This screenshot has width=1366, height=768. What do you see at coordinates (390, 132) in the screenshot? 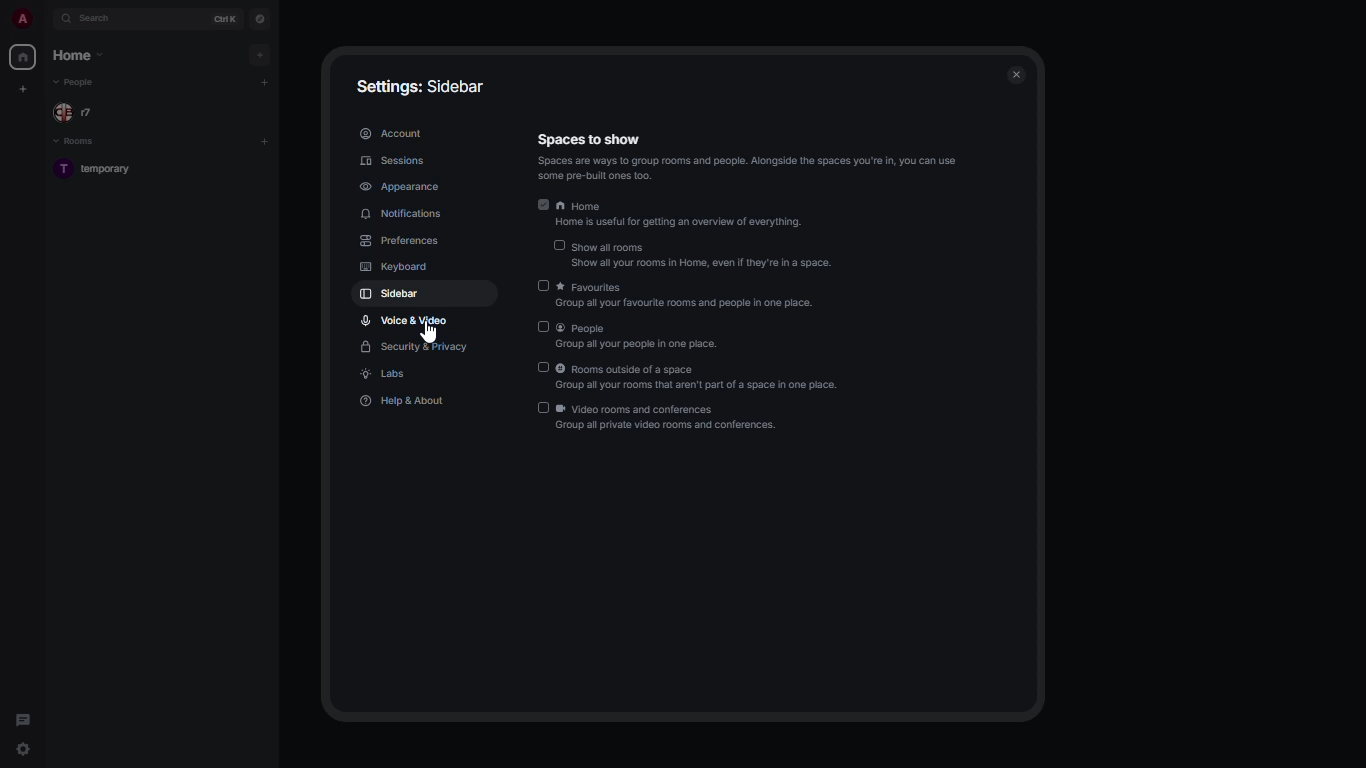
I see `account` at bounding box center [390, 132].